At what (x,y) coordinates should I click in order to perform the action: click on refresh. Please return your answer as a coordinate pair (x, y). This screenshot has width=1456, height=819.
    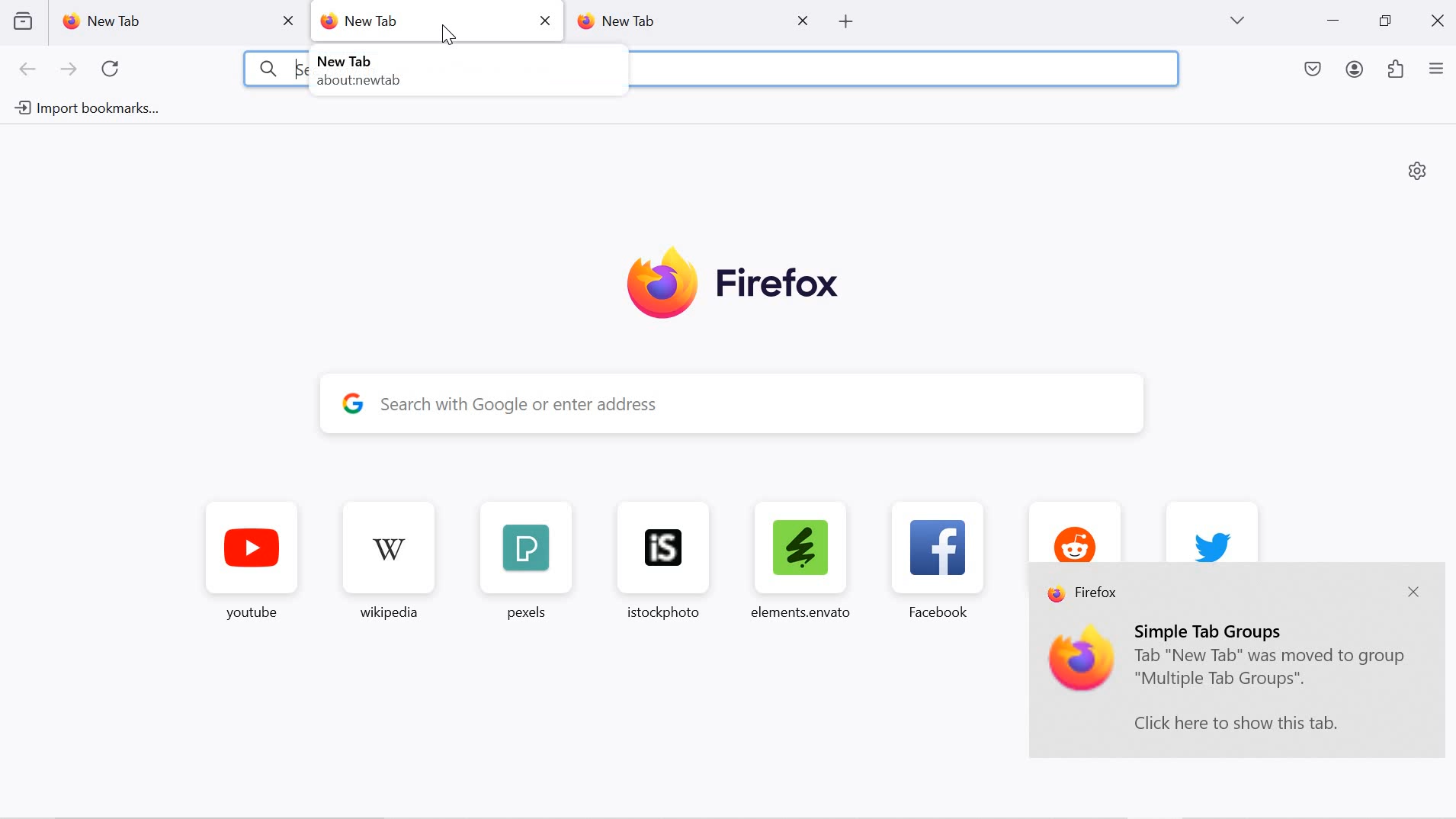
    Looking at the image, I should click on (111, 69).